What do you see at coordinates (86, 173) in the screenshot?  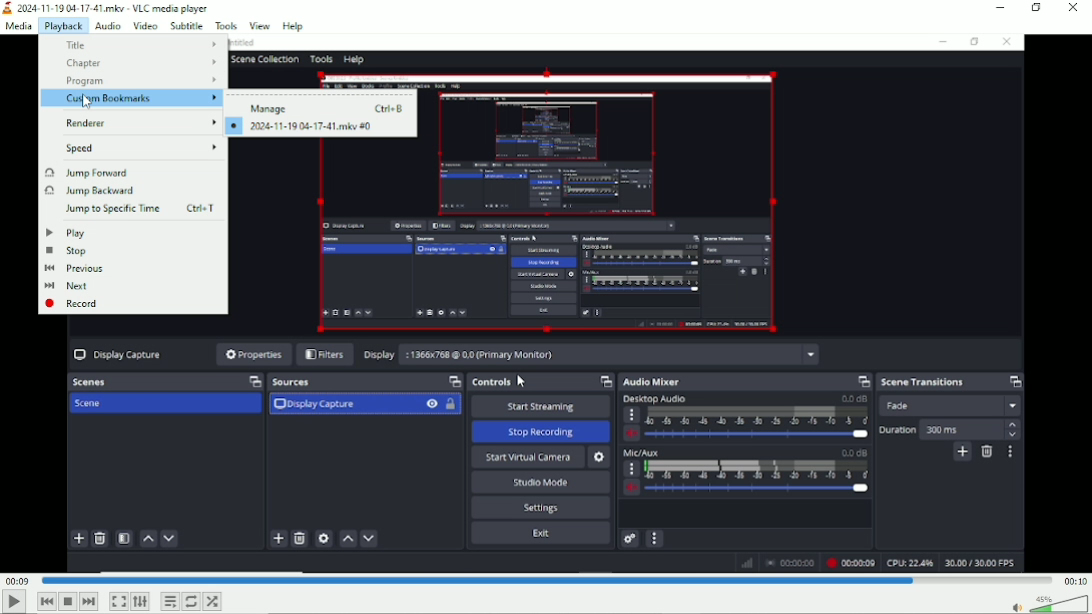 I see `Jump forward` at bounding box center [86, 173].